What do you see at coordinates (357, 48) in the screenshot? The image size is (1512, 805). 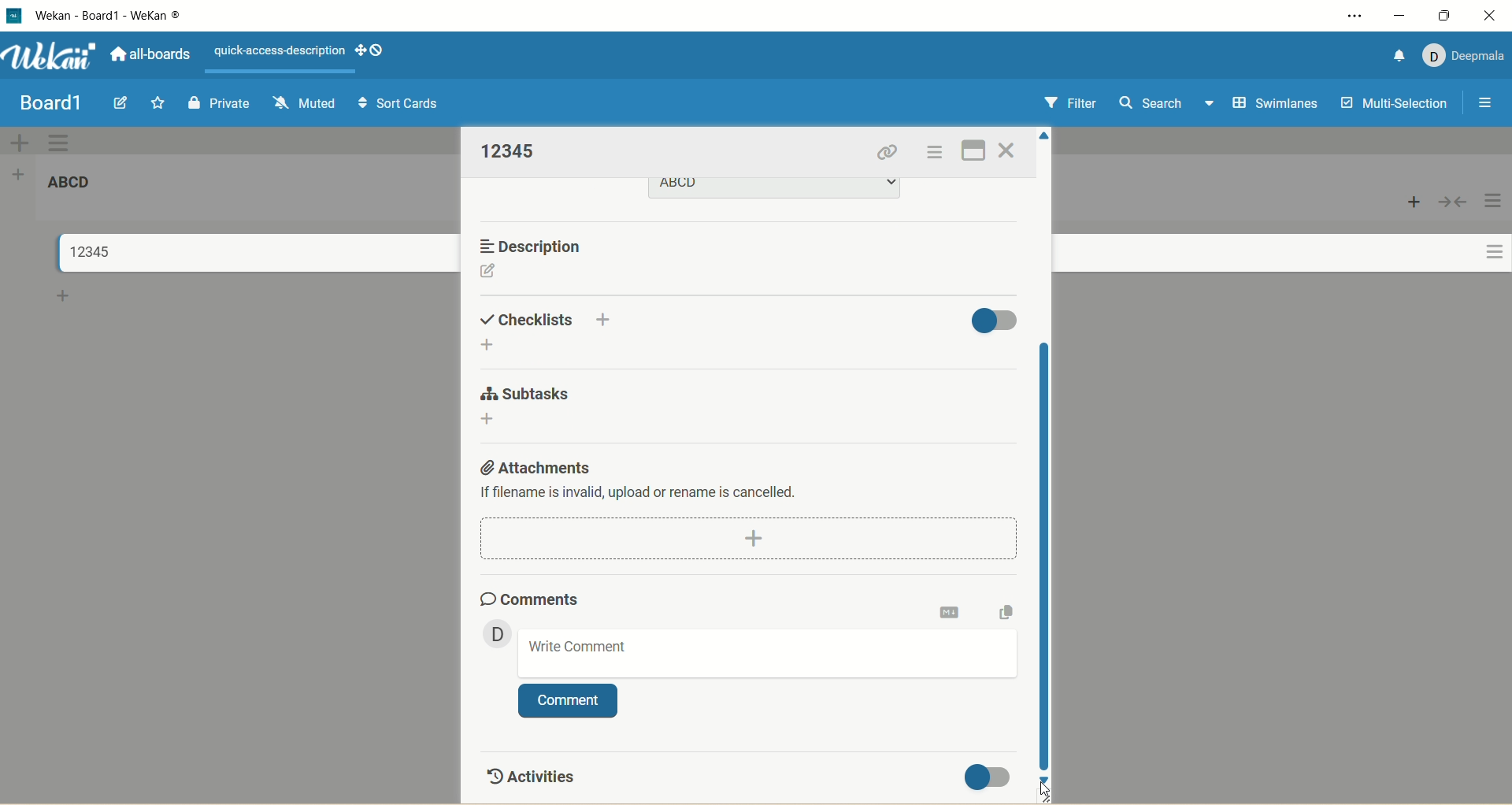 I see `show-desktop-drag-handles` at bounding box center [357, 48].